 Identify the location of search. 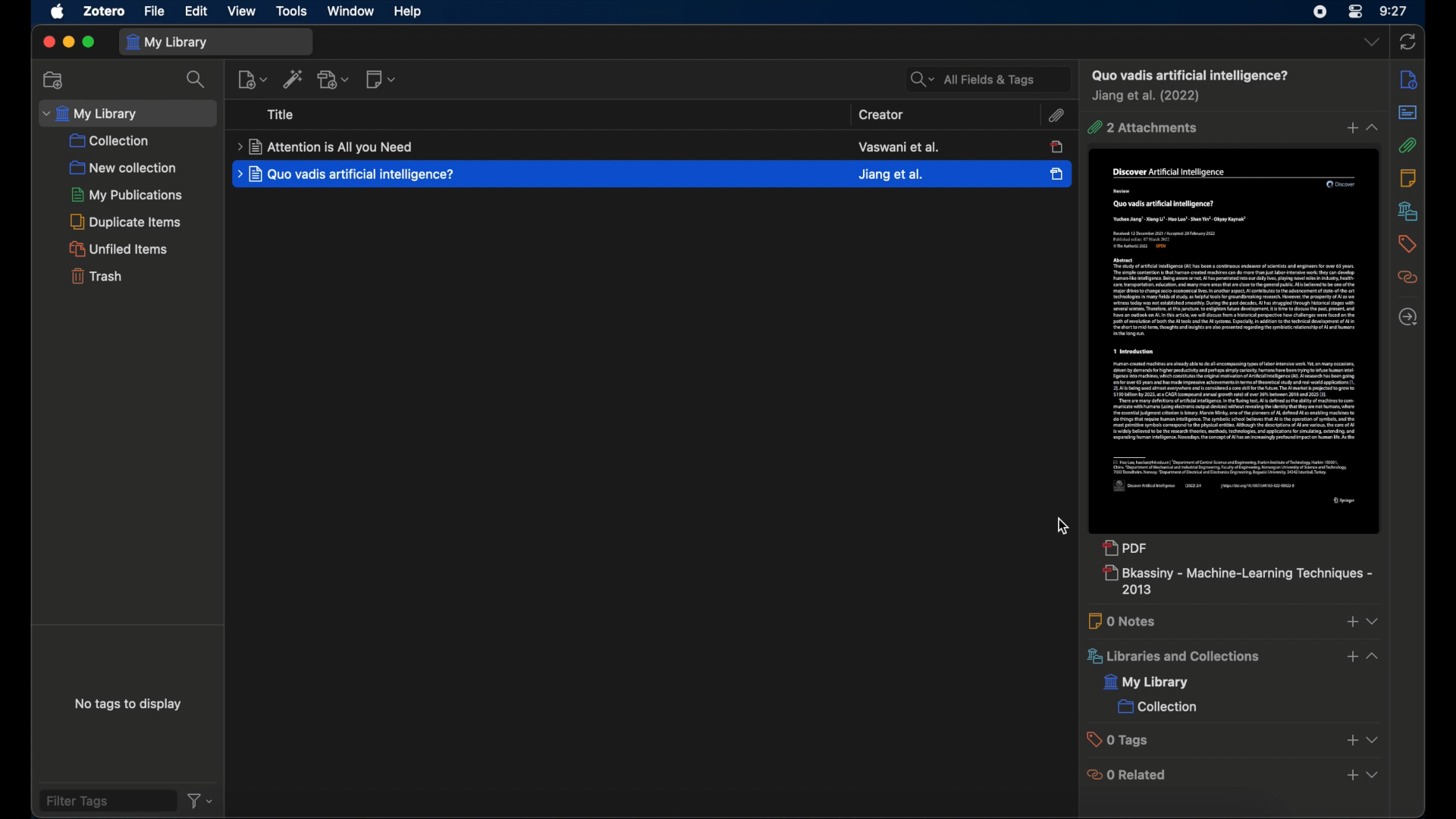
(196, 80).